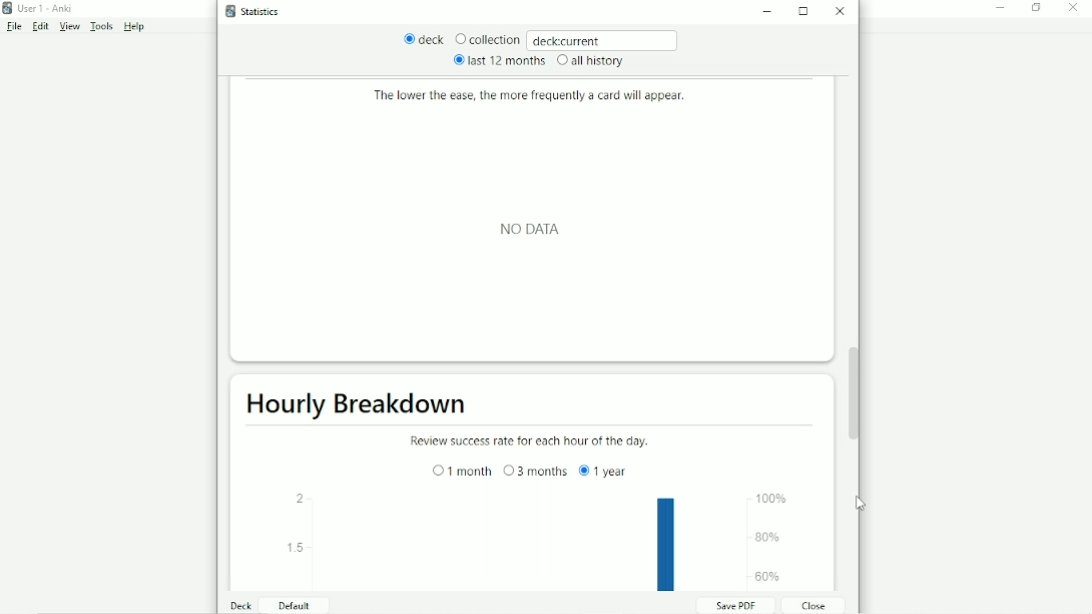  What do you see at coordinates (735, 605) in the screenshot?
I see `Save PDF` at bounding box center [735, 605].